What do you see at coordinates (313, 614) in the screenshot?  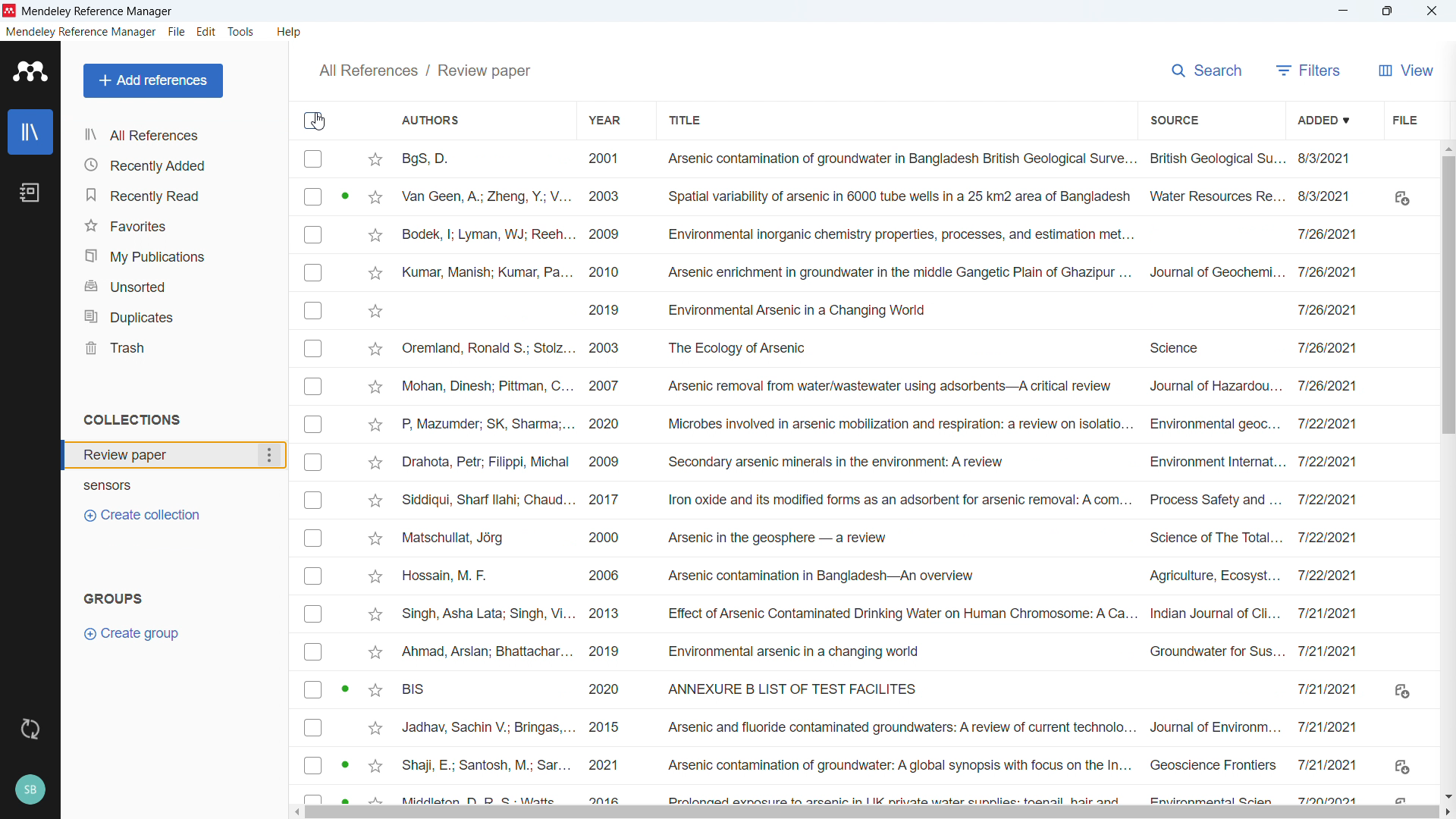 I see `Select respective publication` at bounding box center [313, 614].